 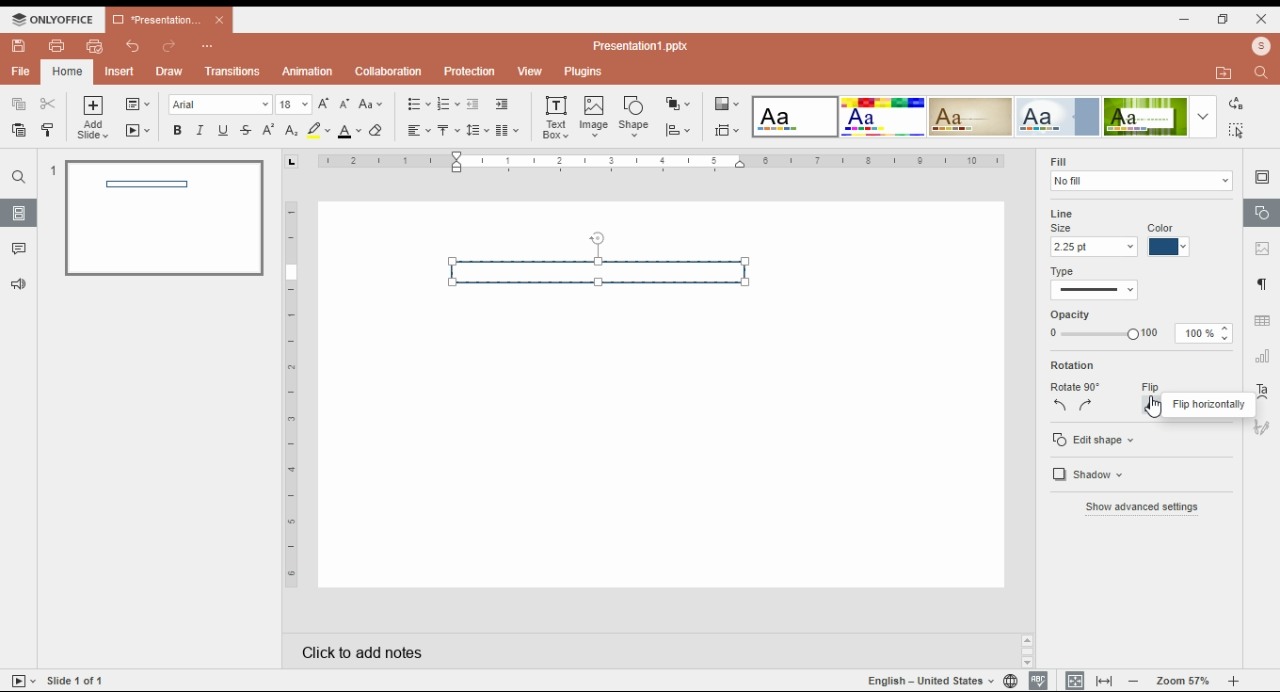 I want to click on slide settings, so click(x=1263, y=178).